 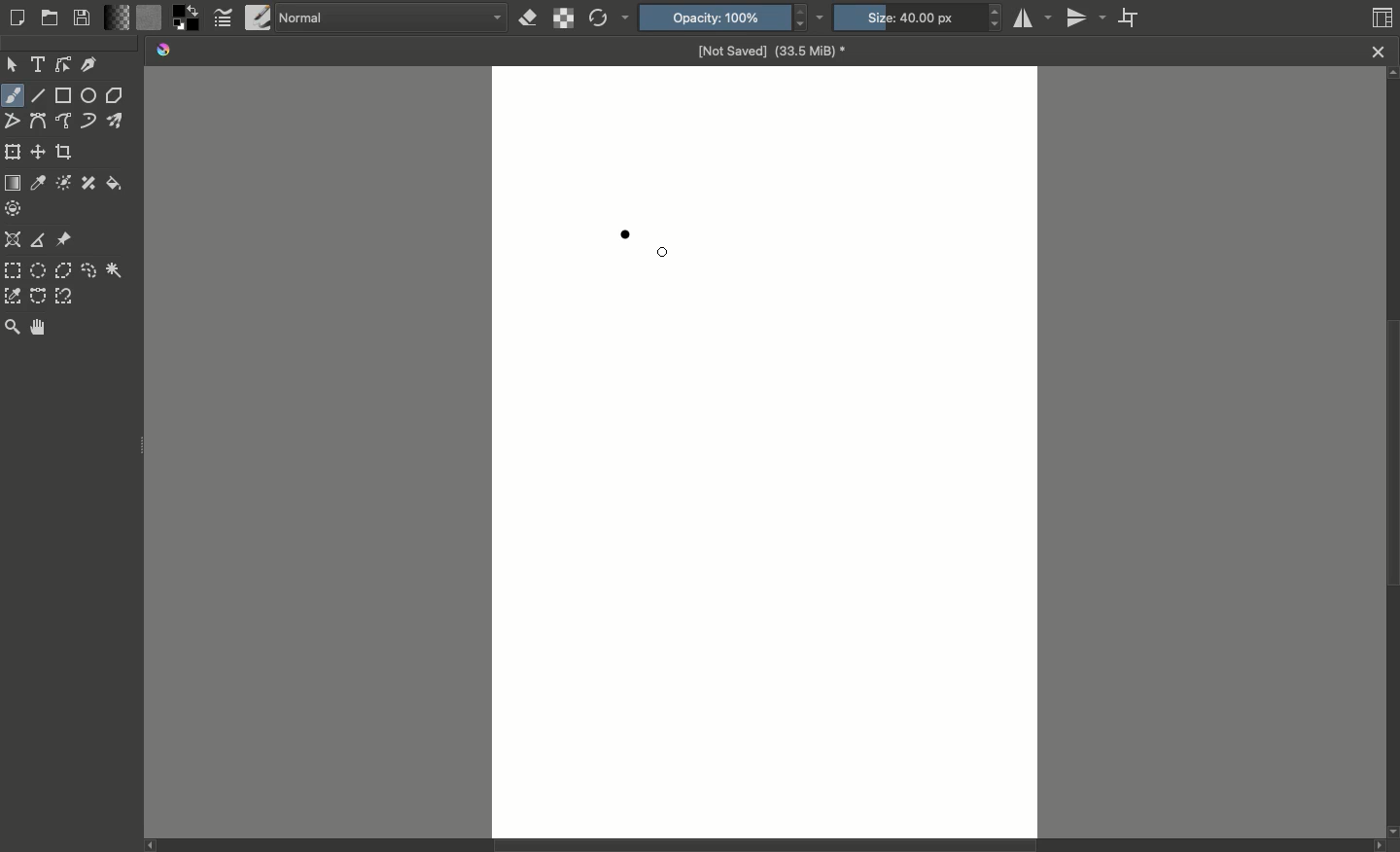 I want to click on Size, so click(x=918, y=18).